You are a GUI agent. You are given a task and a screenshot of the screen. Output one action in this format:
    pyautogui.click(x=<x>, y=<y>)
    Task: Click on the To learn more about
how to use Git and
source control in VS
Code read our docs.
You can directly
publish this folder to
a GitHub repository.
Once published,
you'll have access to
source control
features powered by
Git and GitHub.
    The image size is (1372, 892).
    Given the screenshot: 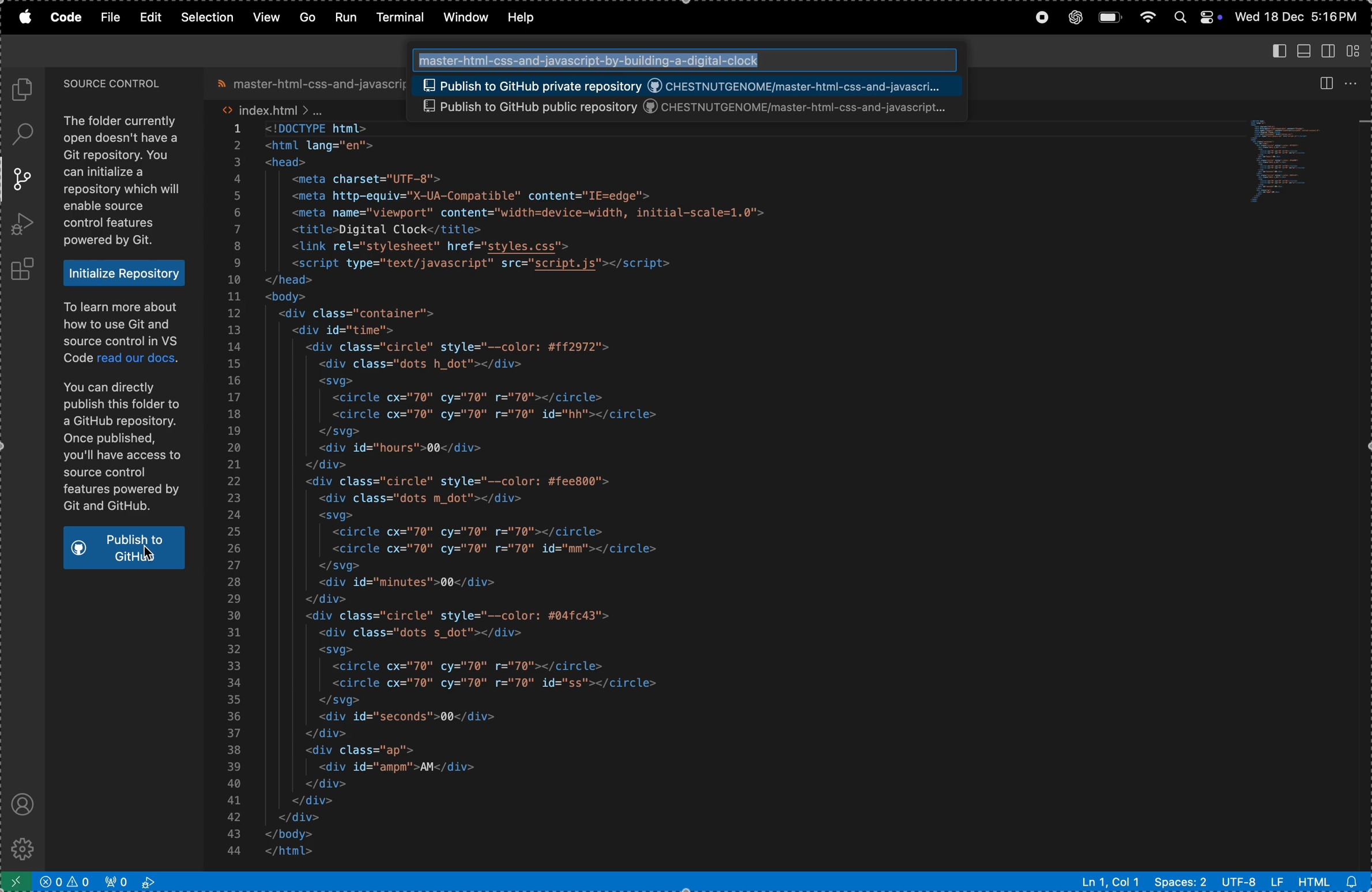 What is the action you would take?
    pyautogui.click(x=123, y=408)
    